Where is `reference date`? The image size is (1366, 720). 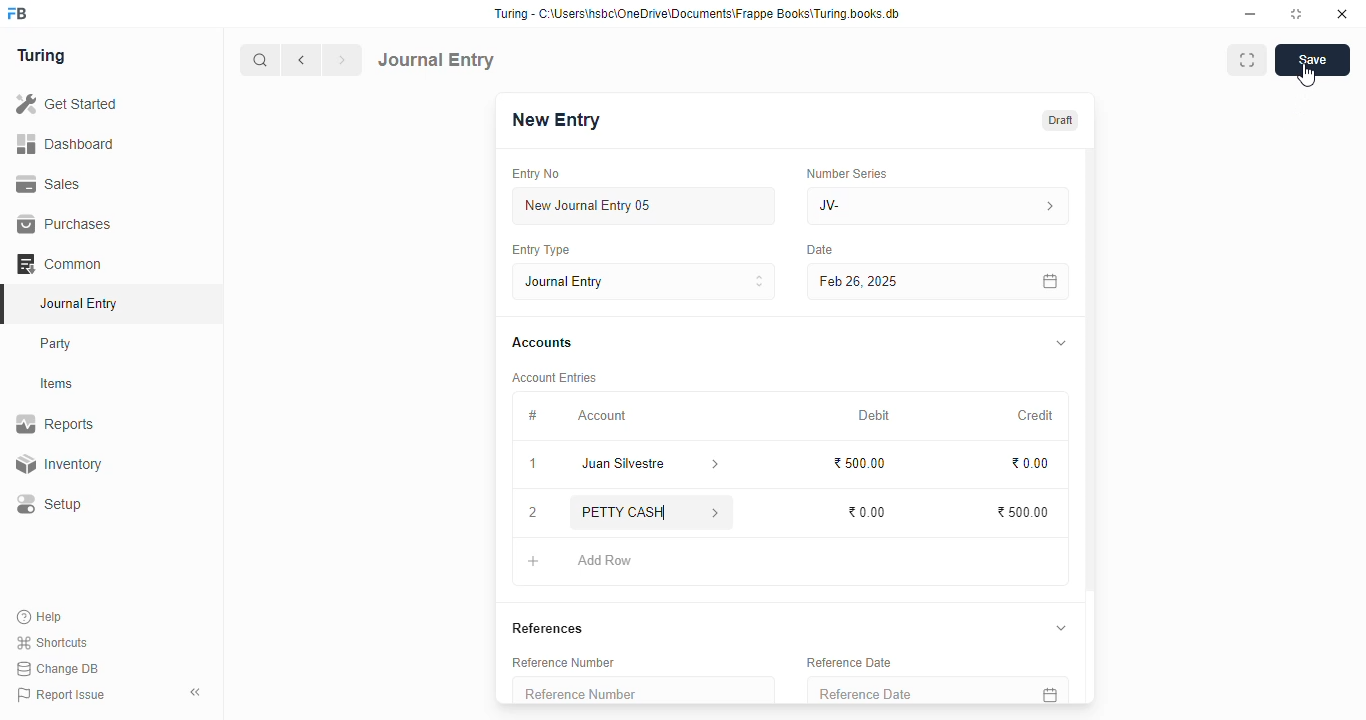 reference date is located at coordinates (848, 662).